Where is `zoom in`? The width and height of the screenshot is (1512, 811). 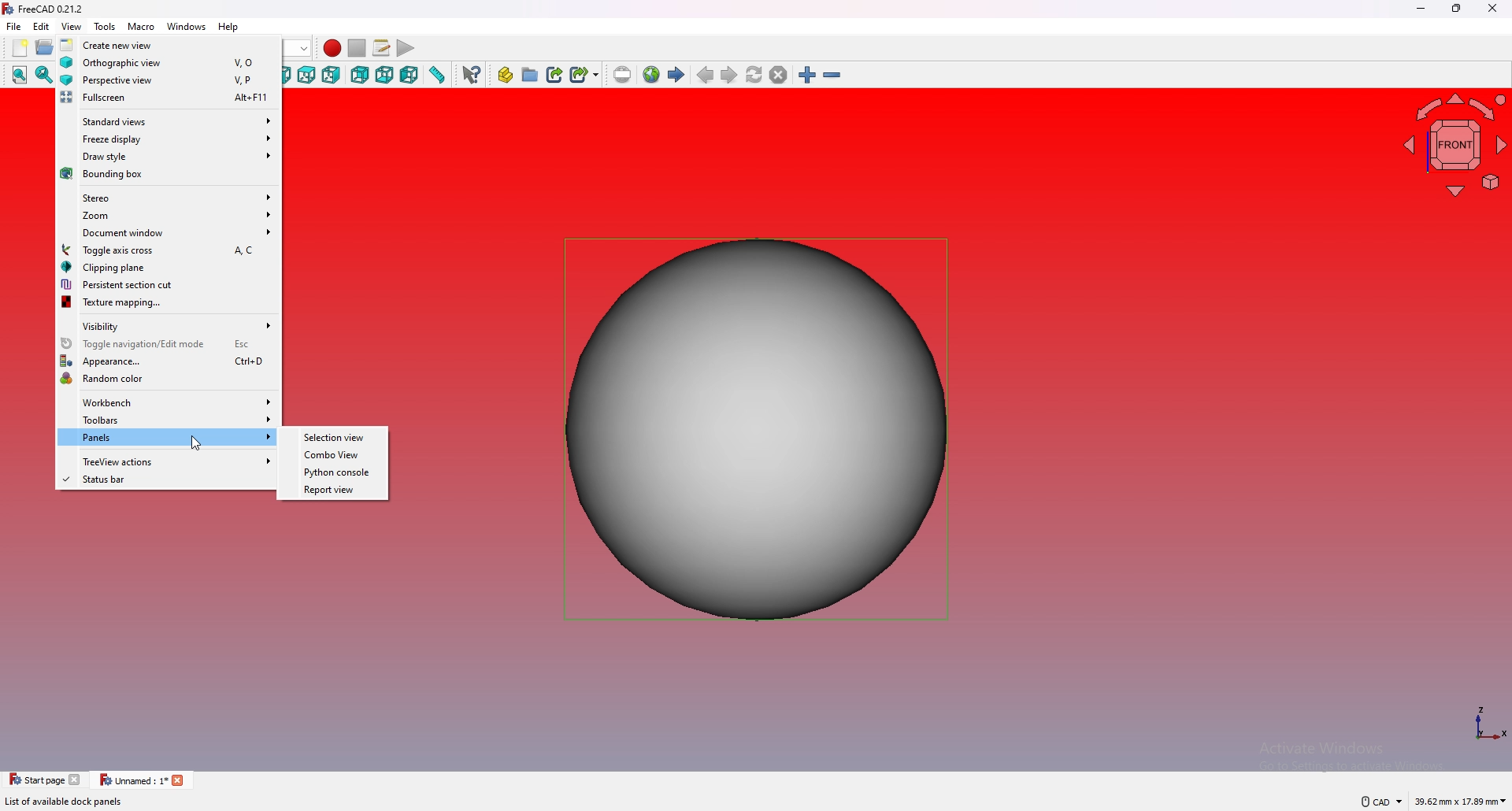 zoom in is located at coordinates (807, 75).